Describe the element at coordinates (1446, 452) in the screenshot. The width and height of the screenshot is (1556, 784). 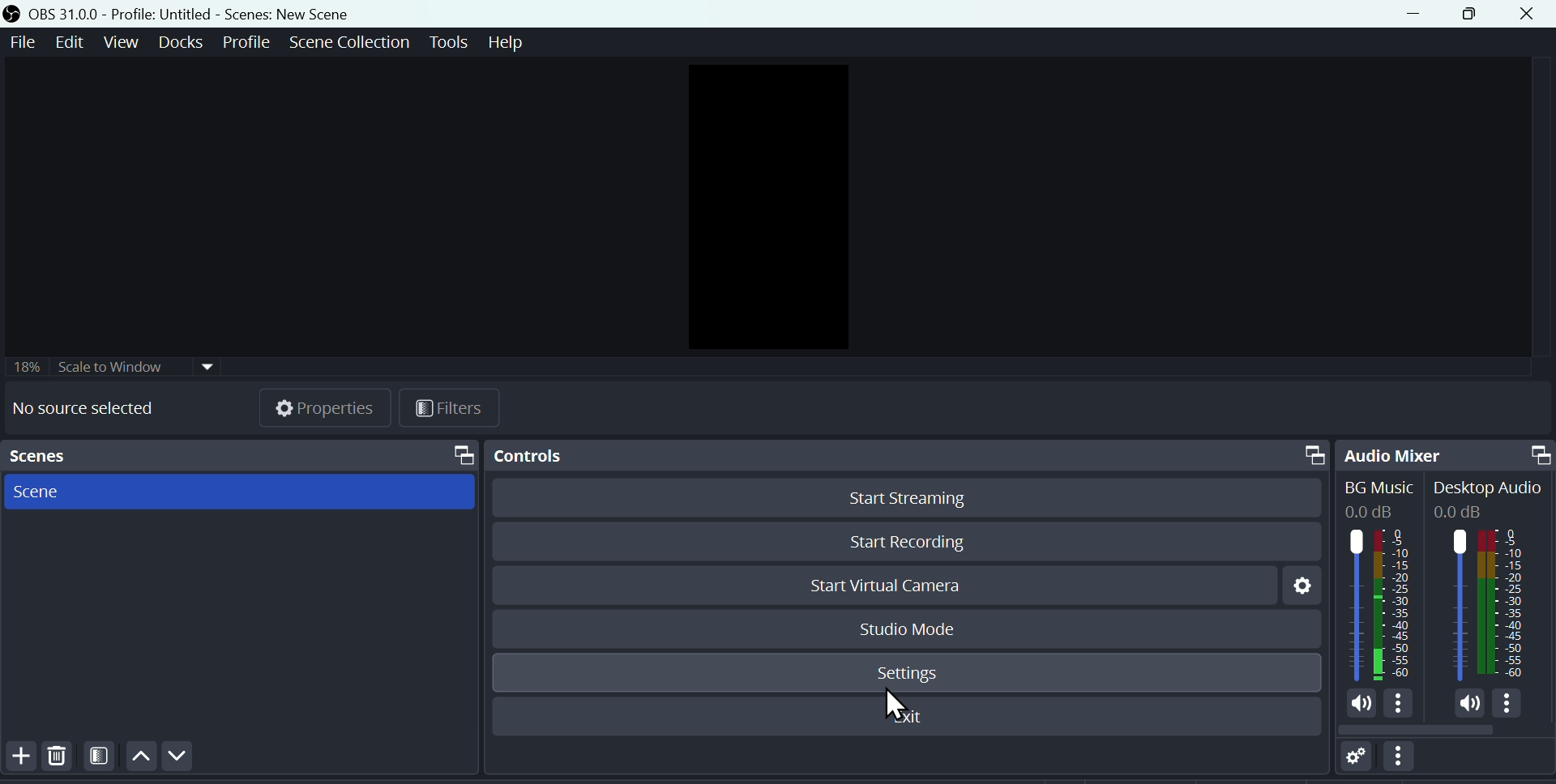
I see `Audio mixer` at that location.